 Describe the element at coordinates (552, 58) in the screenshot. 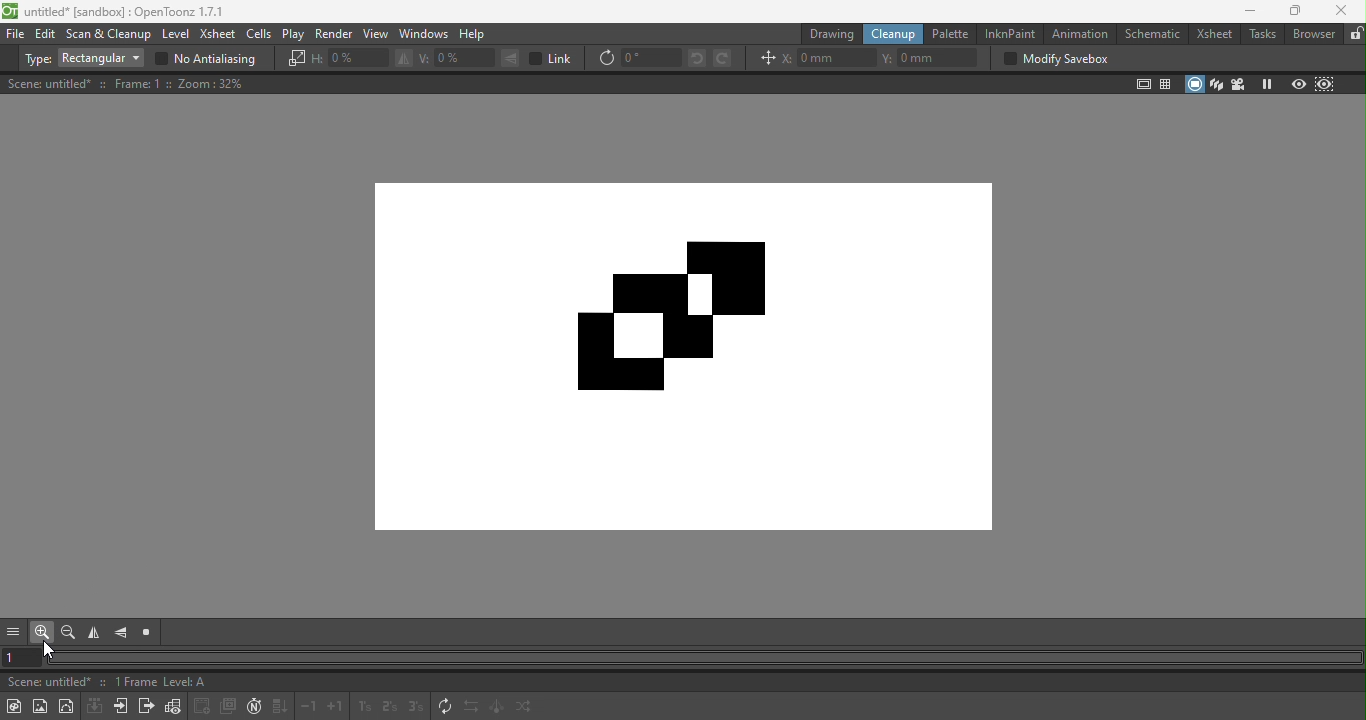

I see `Link` at that location.